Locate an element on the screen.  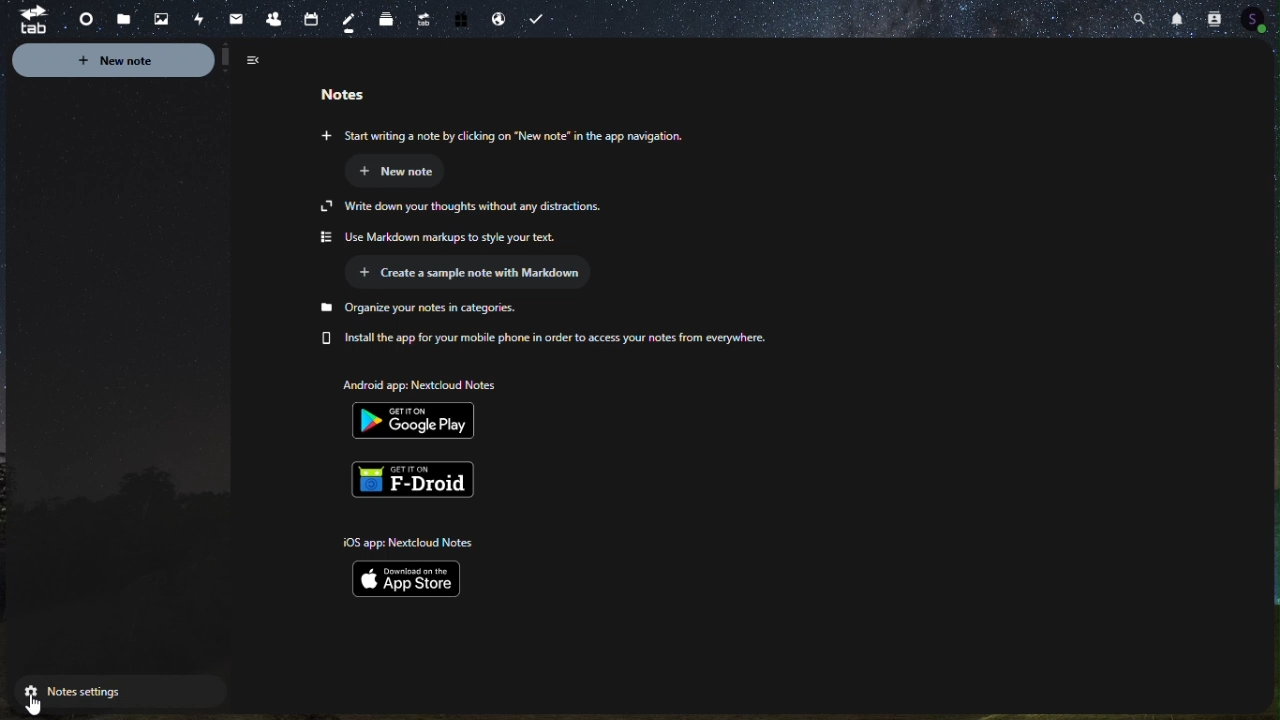
Create sample Note with markdown is located at coordinates (469, 274).